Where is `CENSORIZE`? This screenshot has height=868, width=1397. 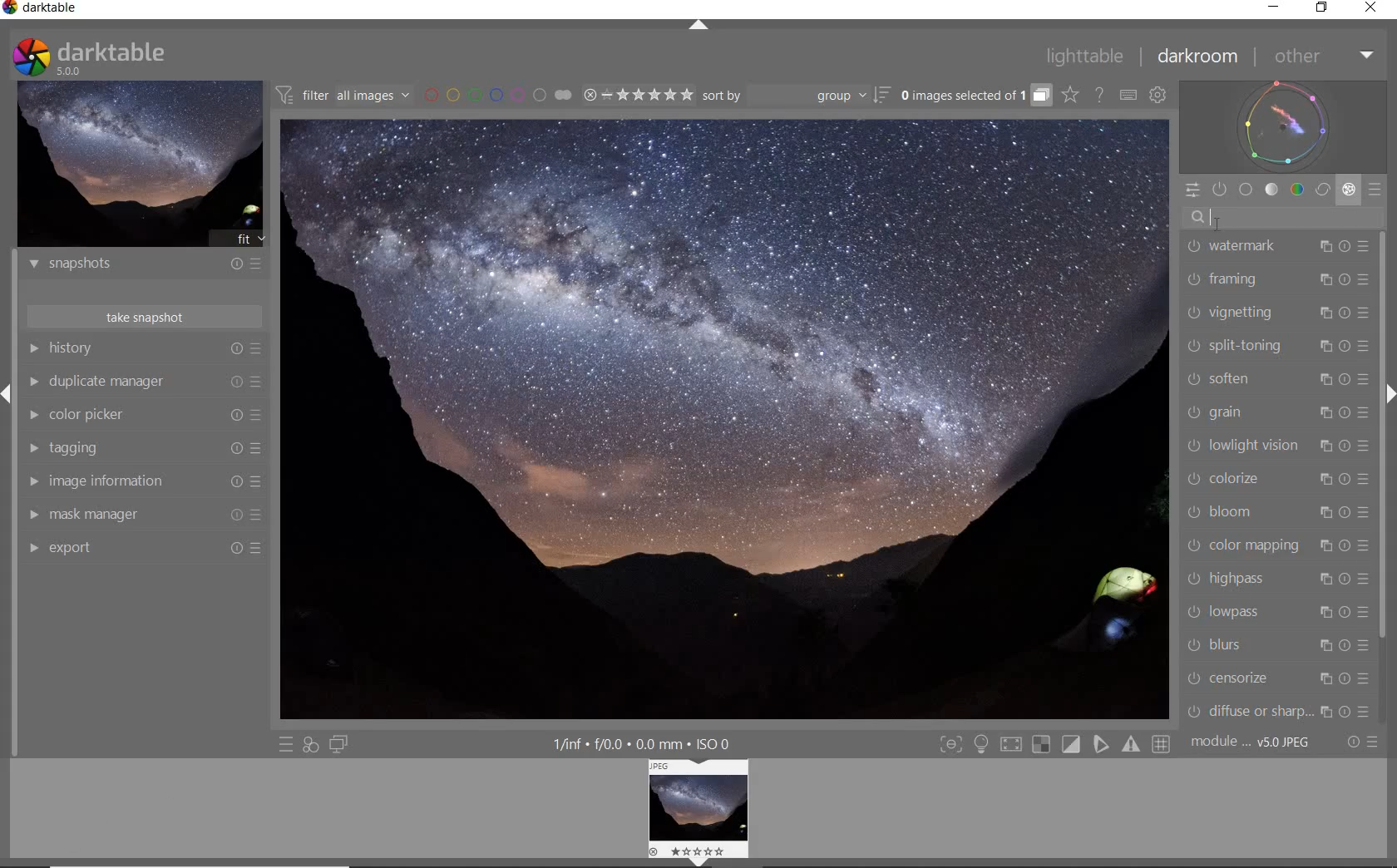 CENSORIZE is located at coordinates (1230, 678).